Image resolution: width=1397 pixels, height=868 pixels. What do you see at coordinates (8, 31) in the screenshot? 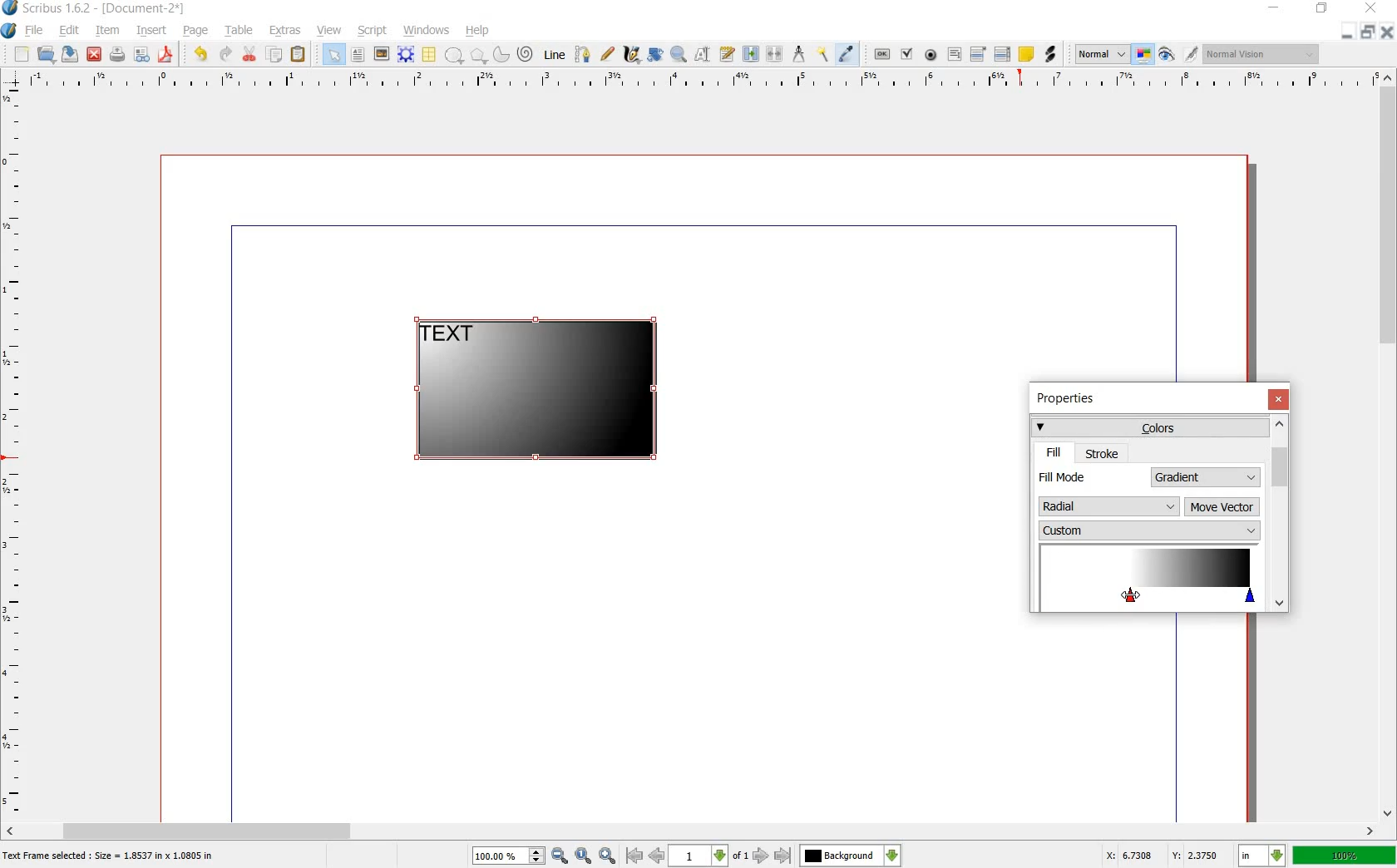
I see `system logo` at bounding box center [8, 31].